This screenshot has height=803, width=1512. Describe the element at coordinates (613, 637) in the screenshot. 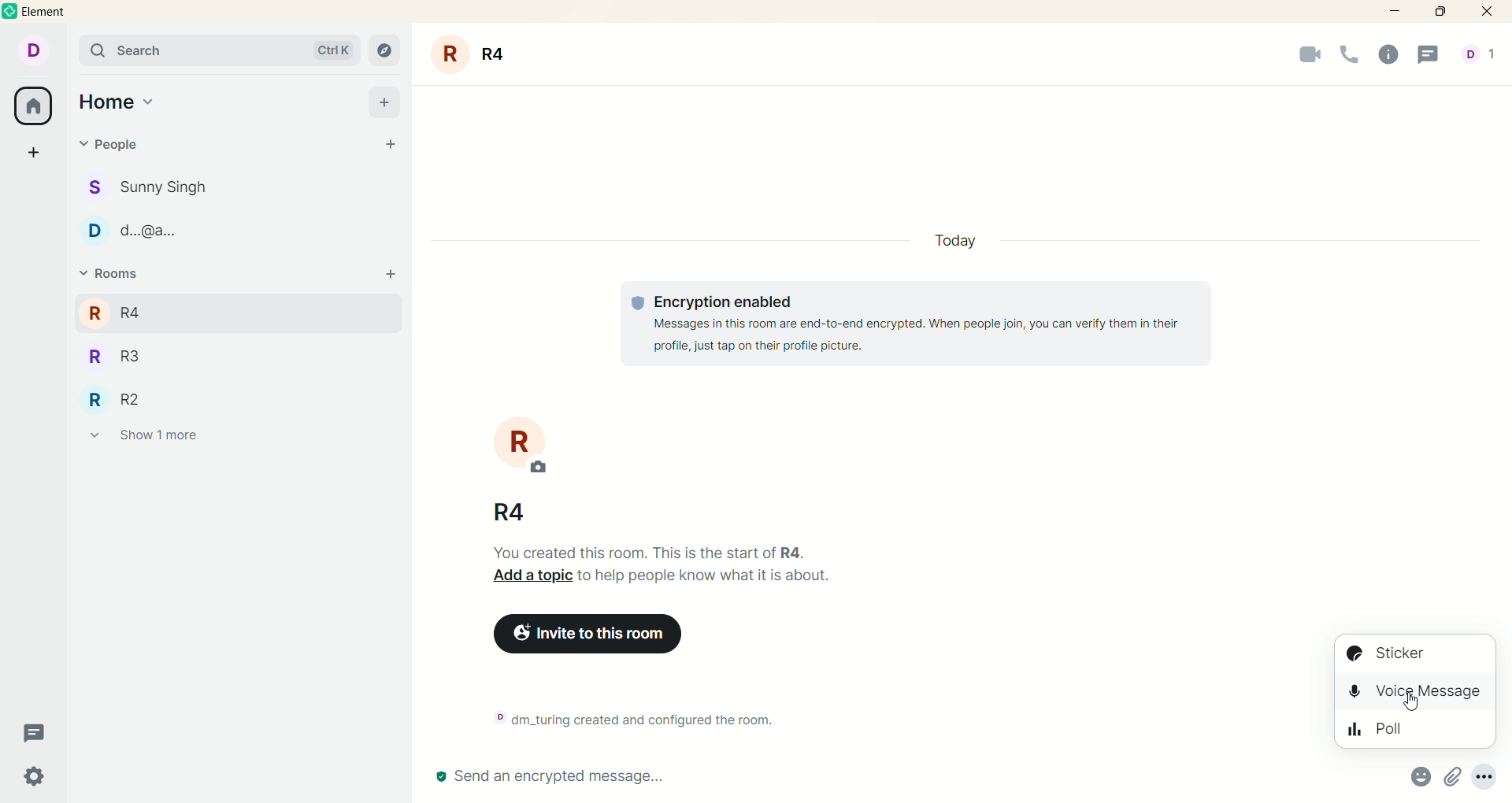

I see `invite to this room` at that location.